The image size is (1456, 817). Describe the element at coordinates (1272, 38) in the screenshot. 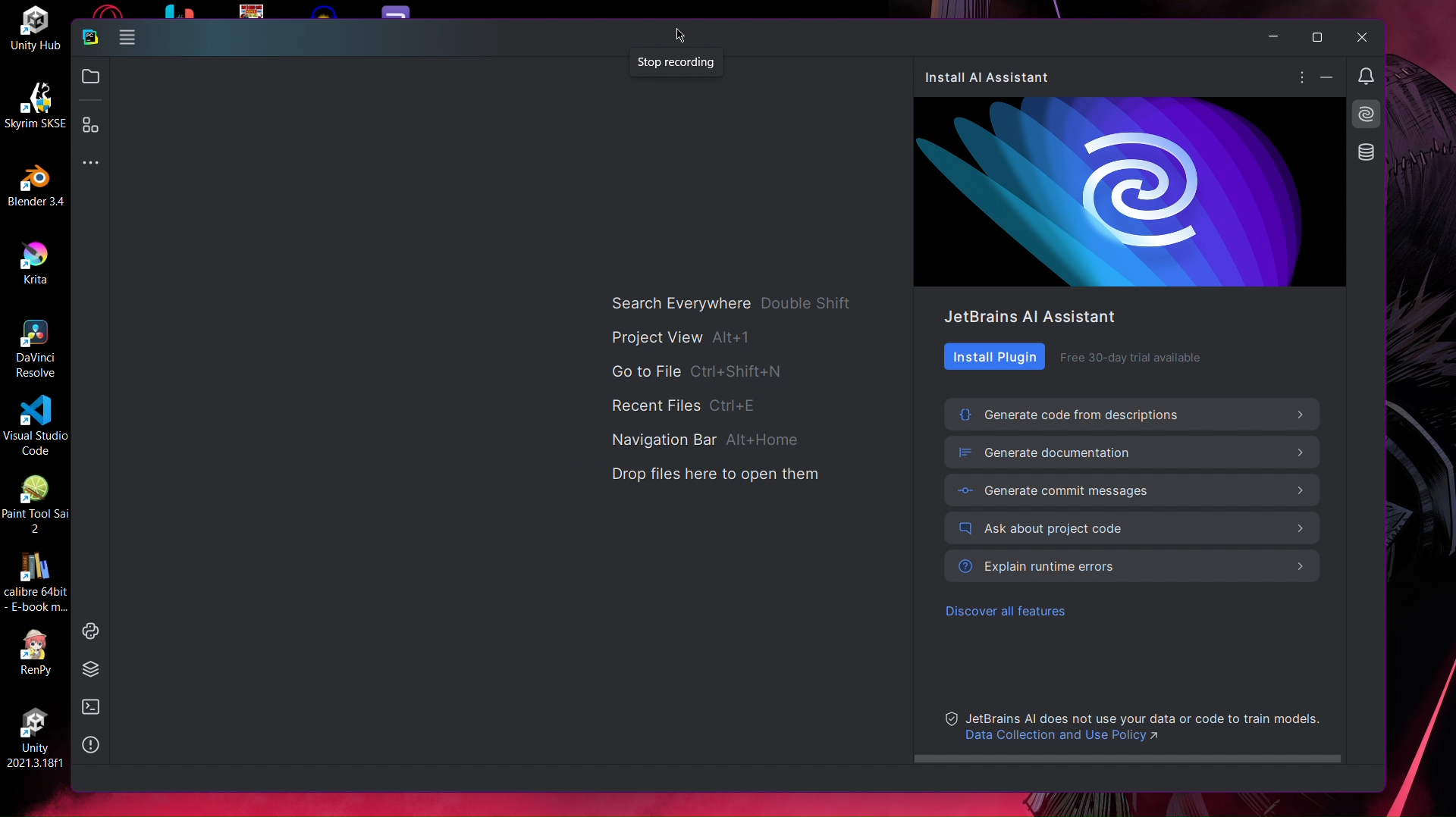

I see `Minimize` at that location.